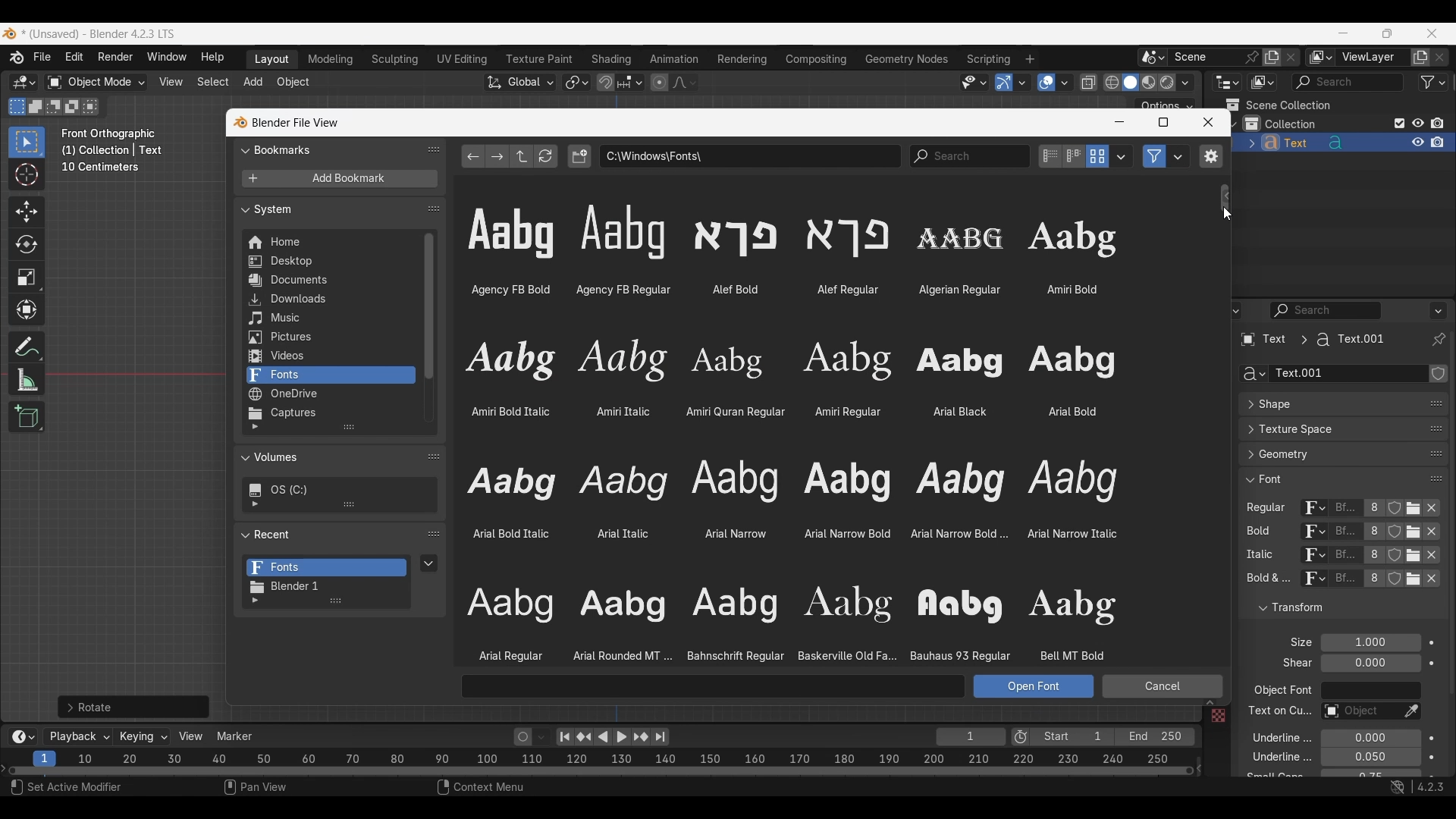  Describe the element at coordinates (115, 58) in the screenshot. I see `Render menu` at that location.